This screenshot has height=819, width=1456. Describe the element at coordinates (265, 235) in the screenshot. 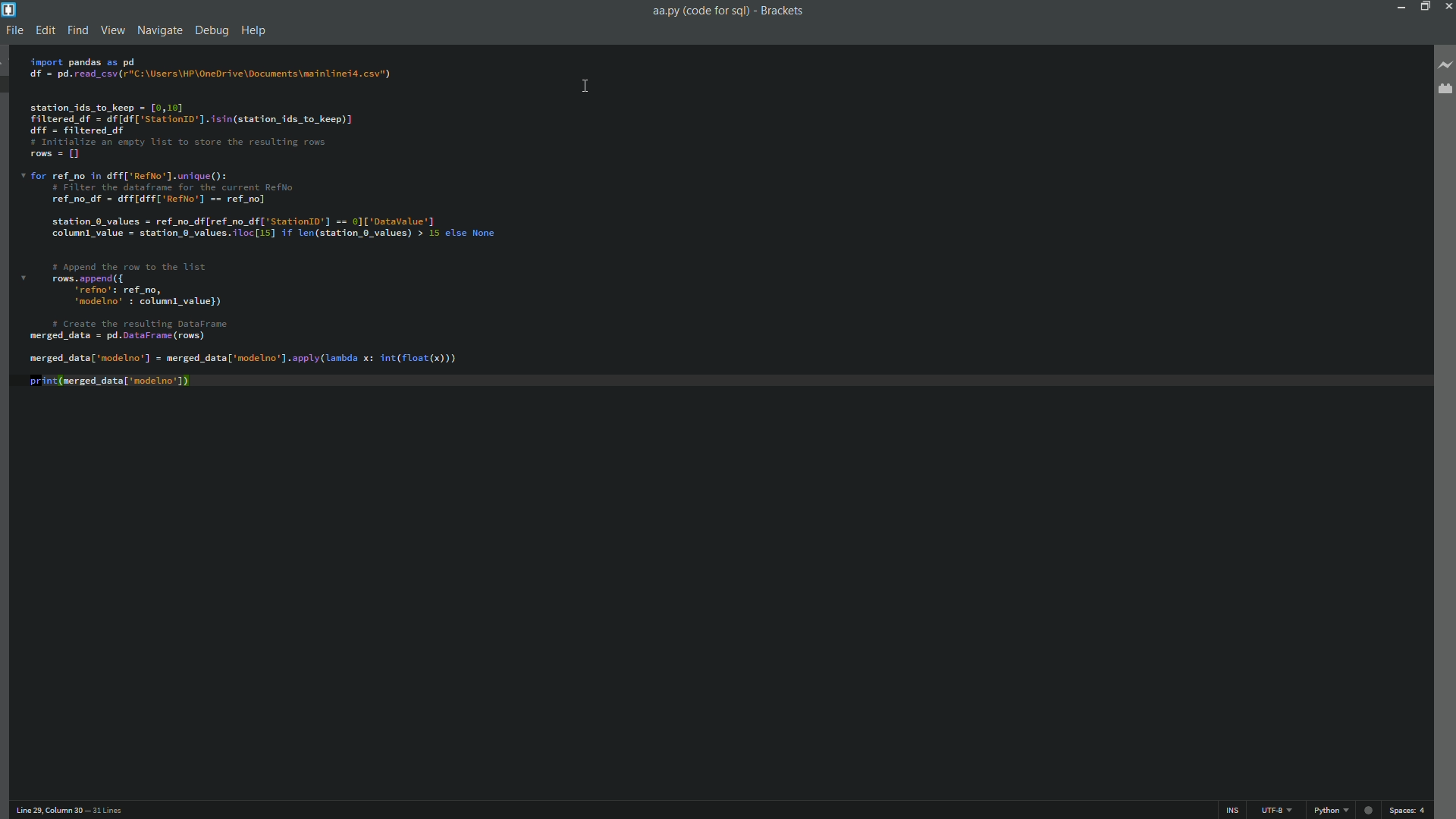

I see `code editor` at that location.